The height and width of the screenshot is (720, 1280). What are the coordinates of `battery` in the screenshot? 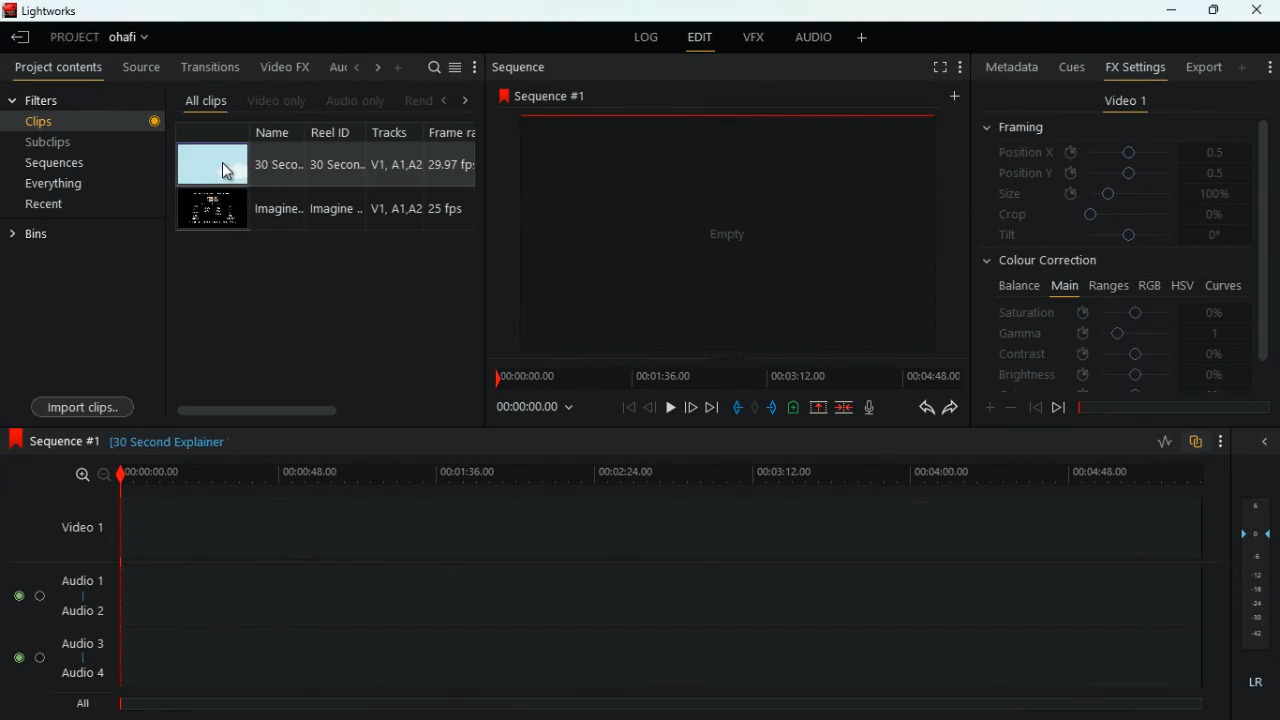 It's located at (793, 409).